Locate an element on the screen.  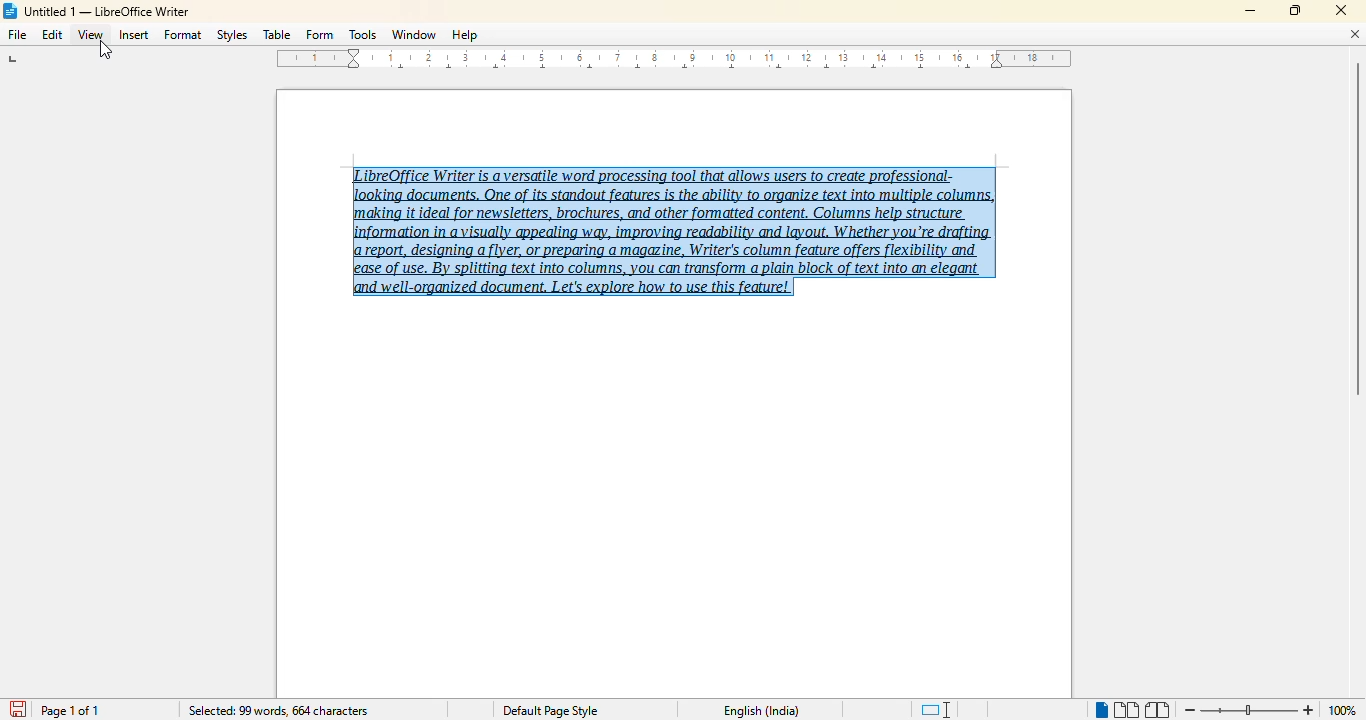
form is located at coordinates (320, 34).